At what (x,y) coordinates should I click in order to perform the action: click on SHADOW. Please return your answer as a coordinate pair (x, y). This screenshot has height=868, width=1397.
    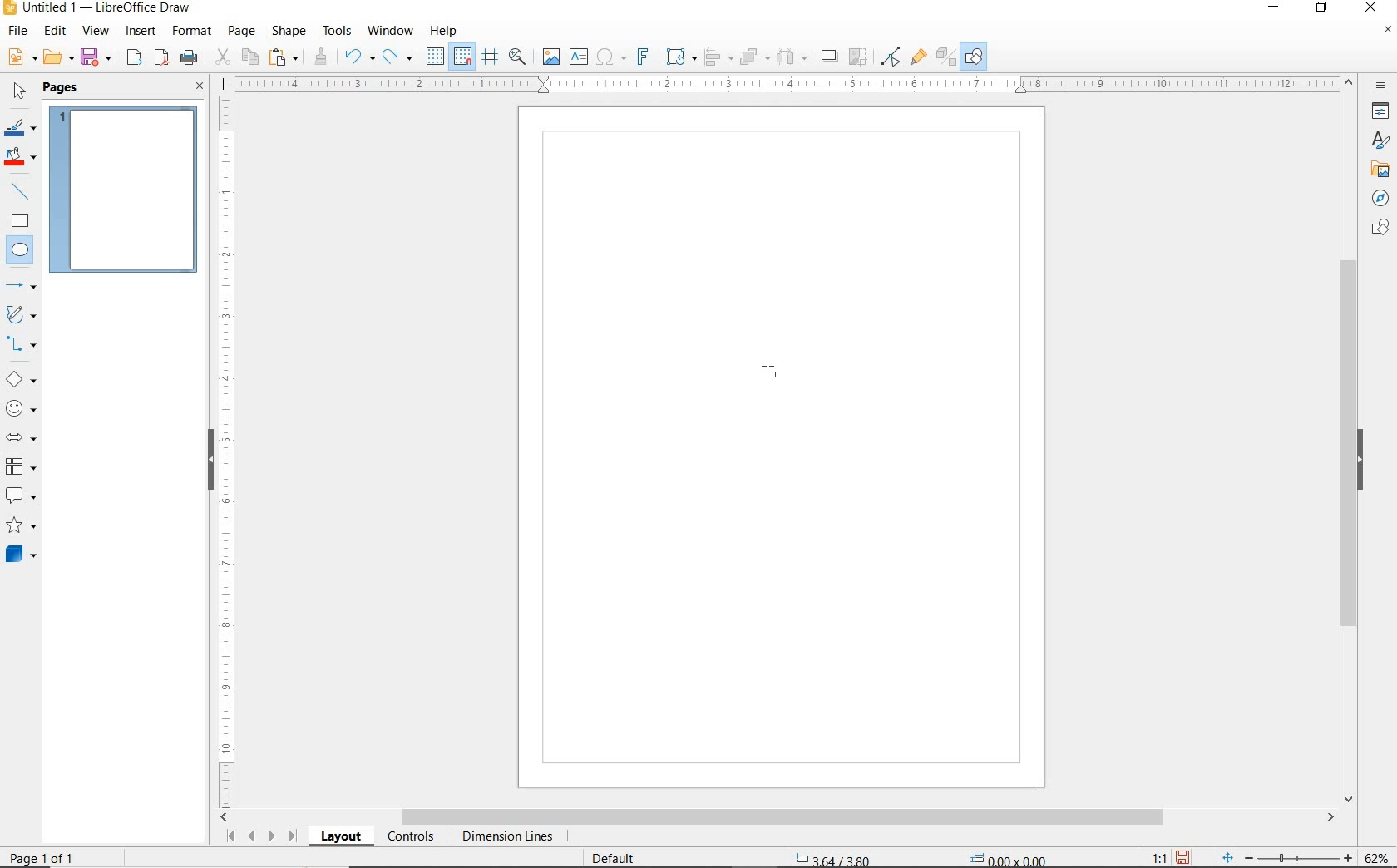
    Looking at the image, I should click on (830, 58).